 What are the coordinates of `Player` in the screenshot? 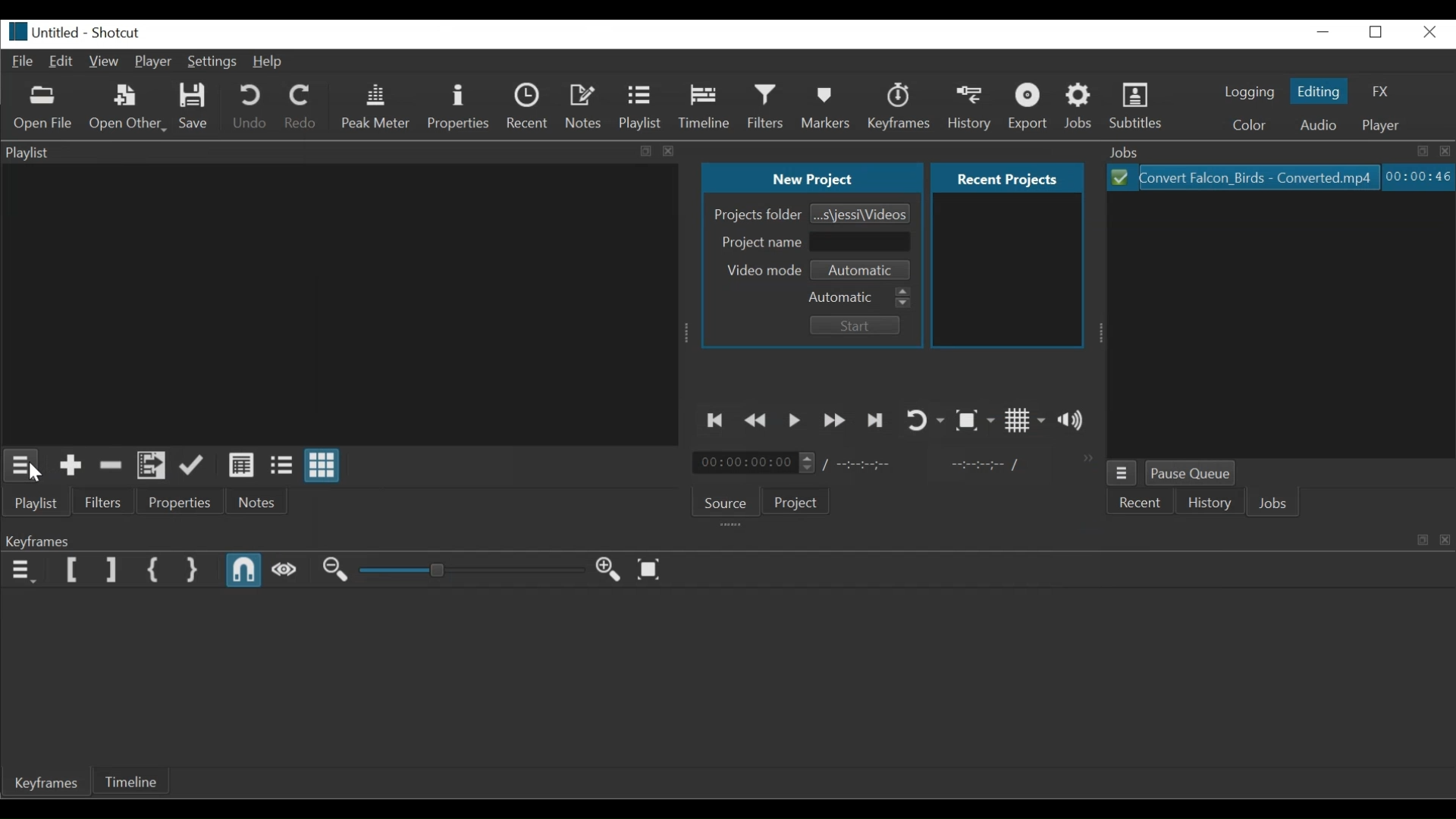 It's located at (153, 61).